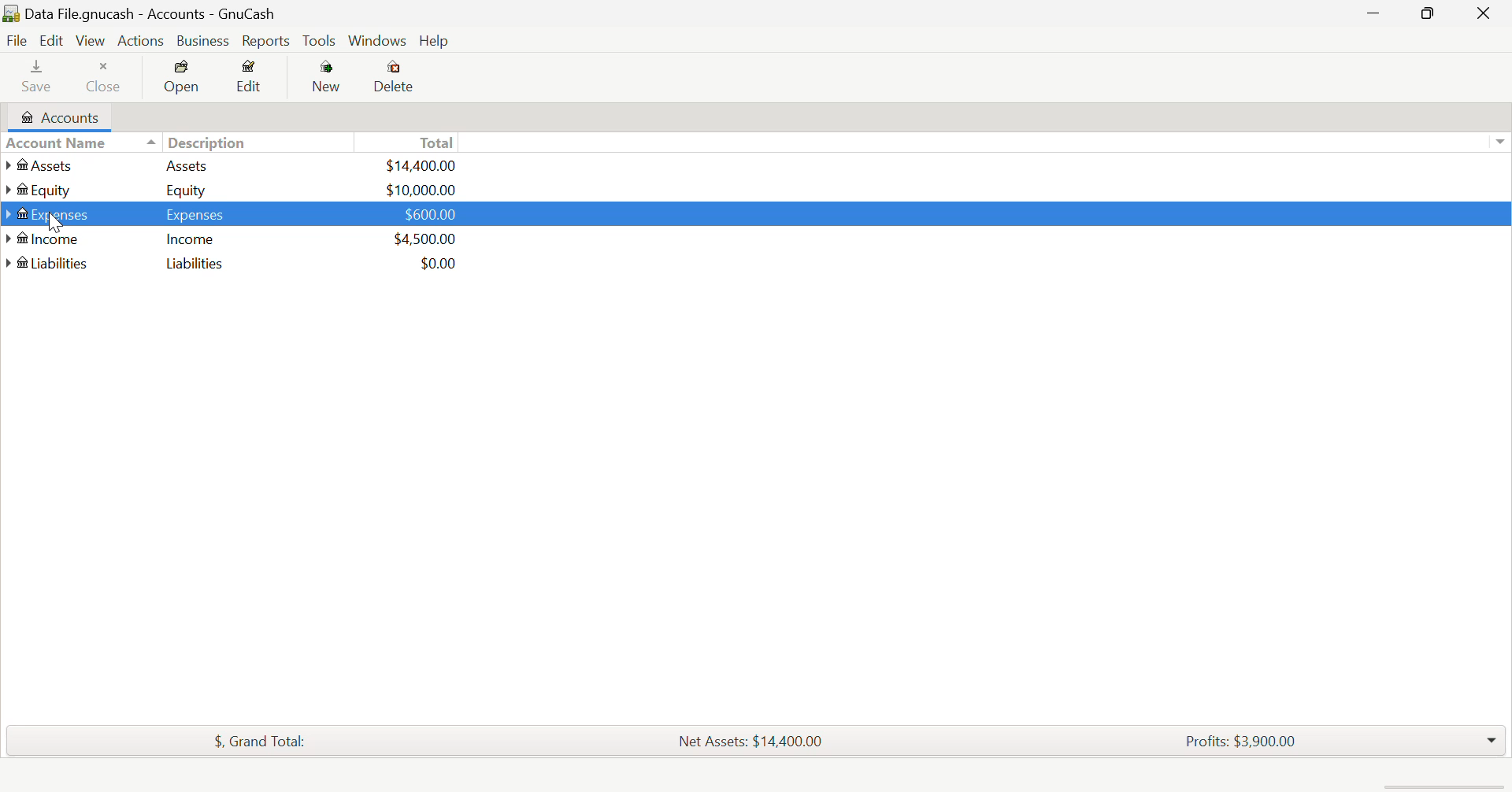 The height and width of the screenshot is (792, 1512). What do you see at coordinates (192, 216) in the screenshot?
I see `Expenses` at bounding box center [192, 216].